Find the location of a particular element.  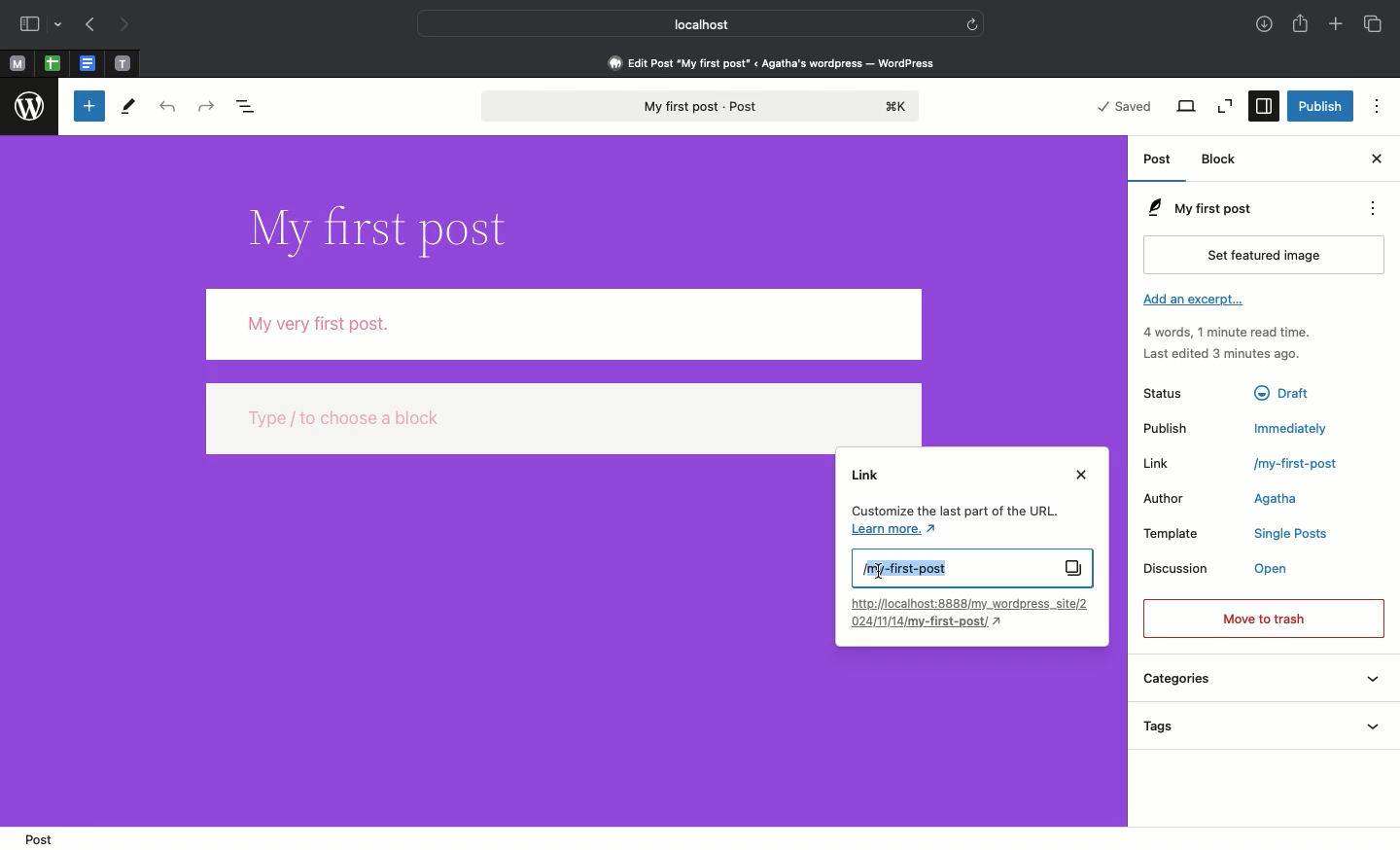

Post is located at coordinates (46, 838).